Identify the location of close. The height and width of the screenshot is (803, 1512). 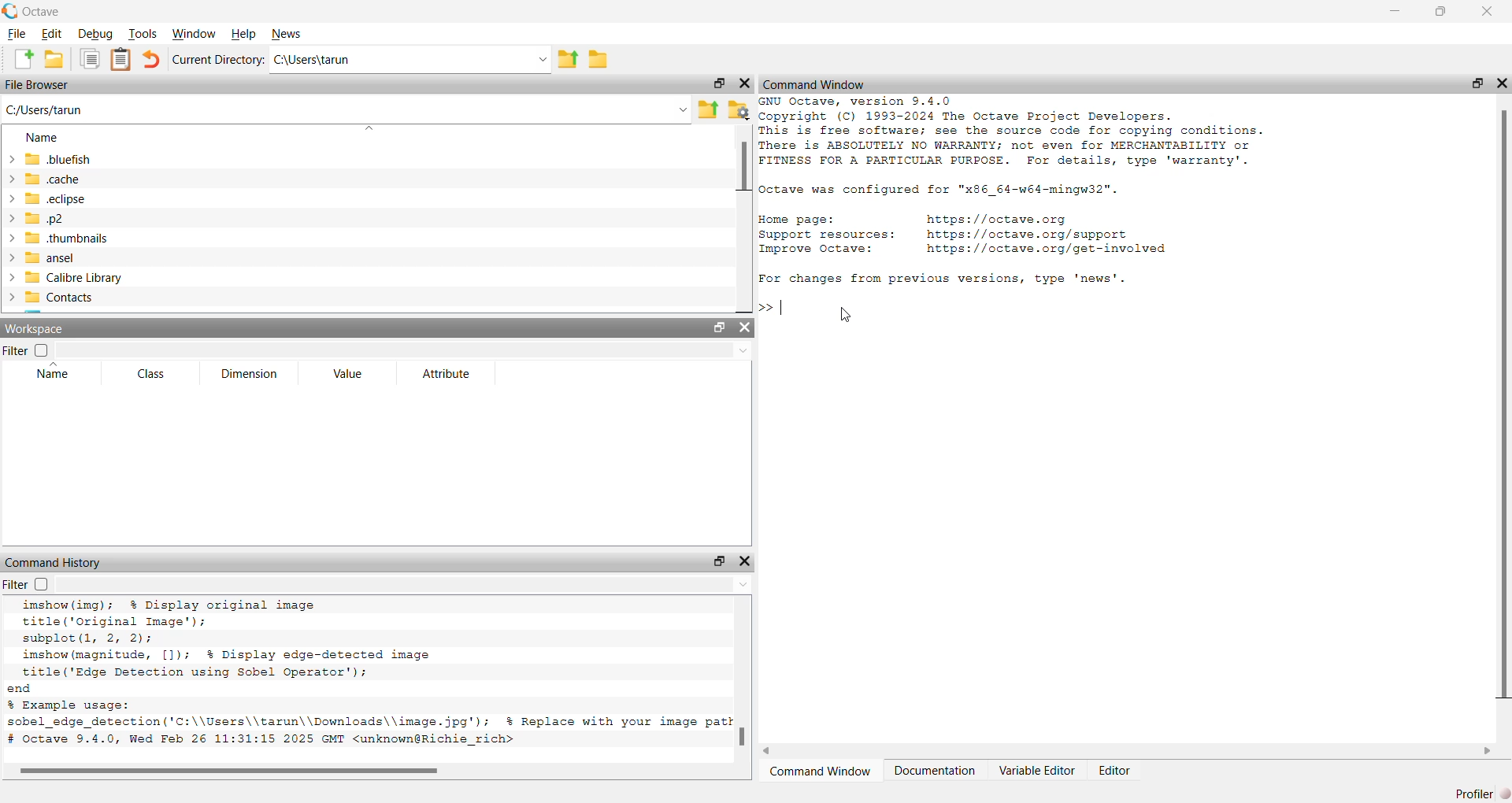
(1503, 83).